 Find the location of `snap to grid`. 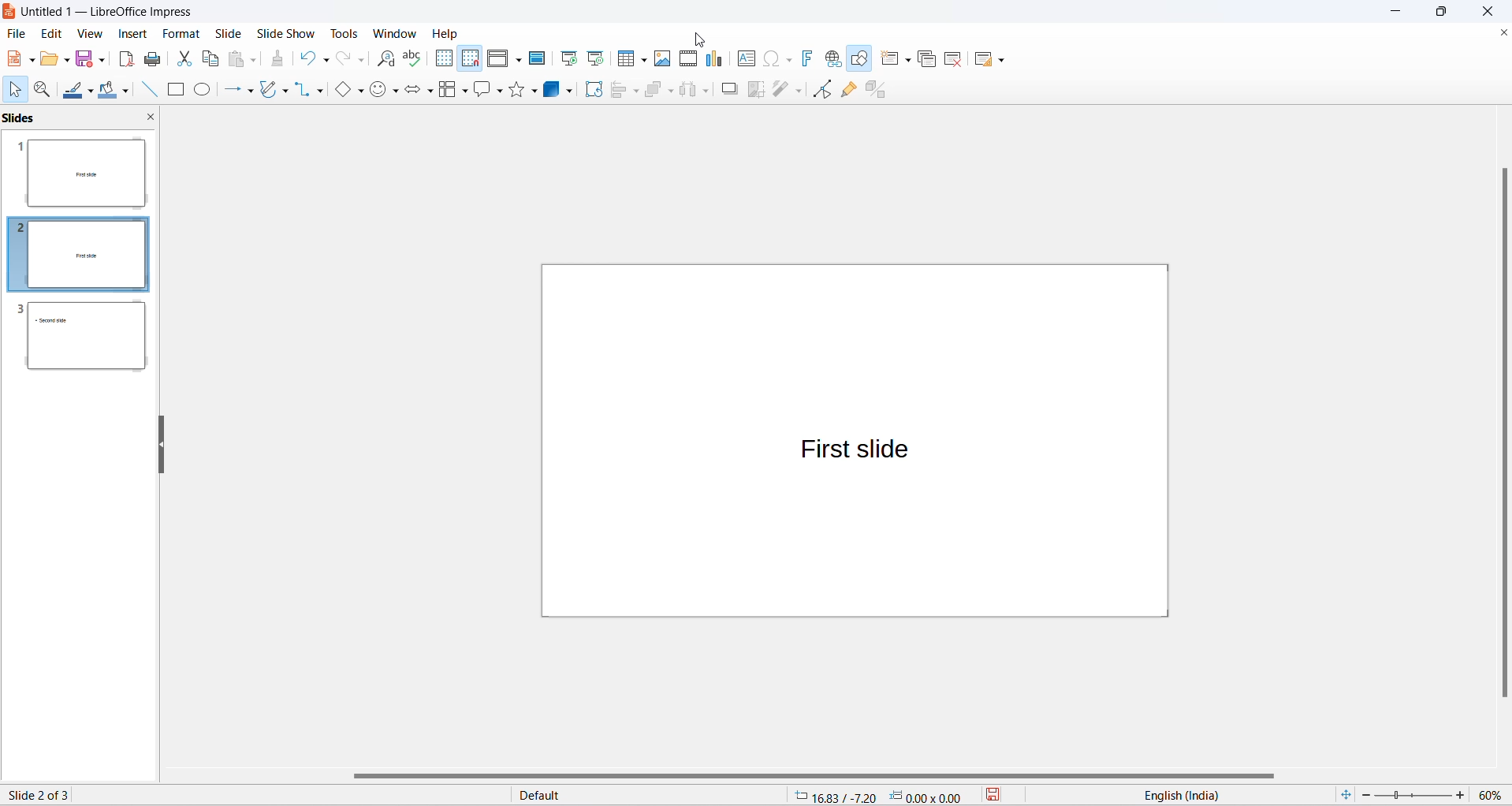

snap to grid is located at coordinates (471, 58).